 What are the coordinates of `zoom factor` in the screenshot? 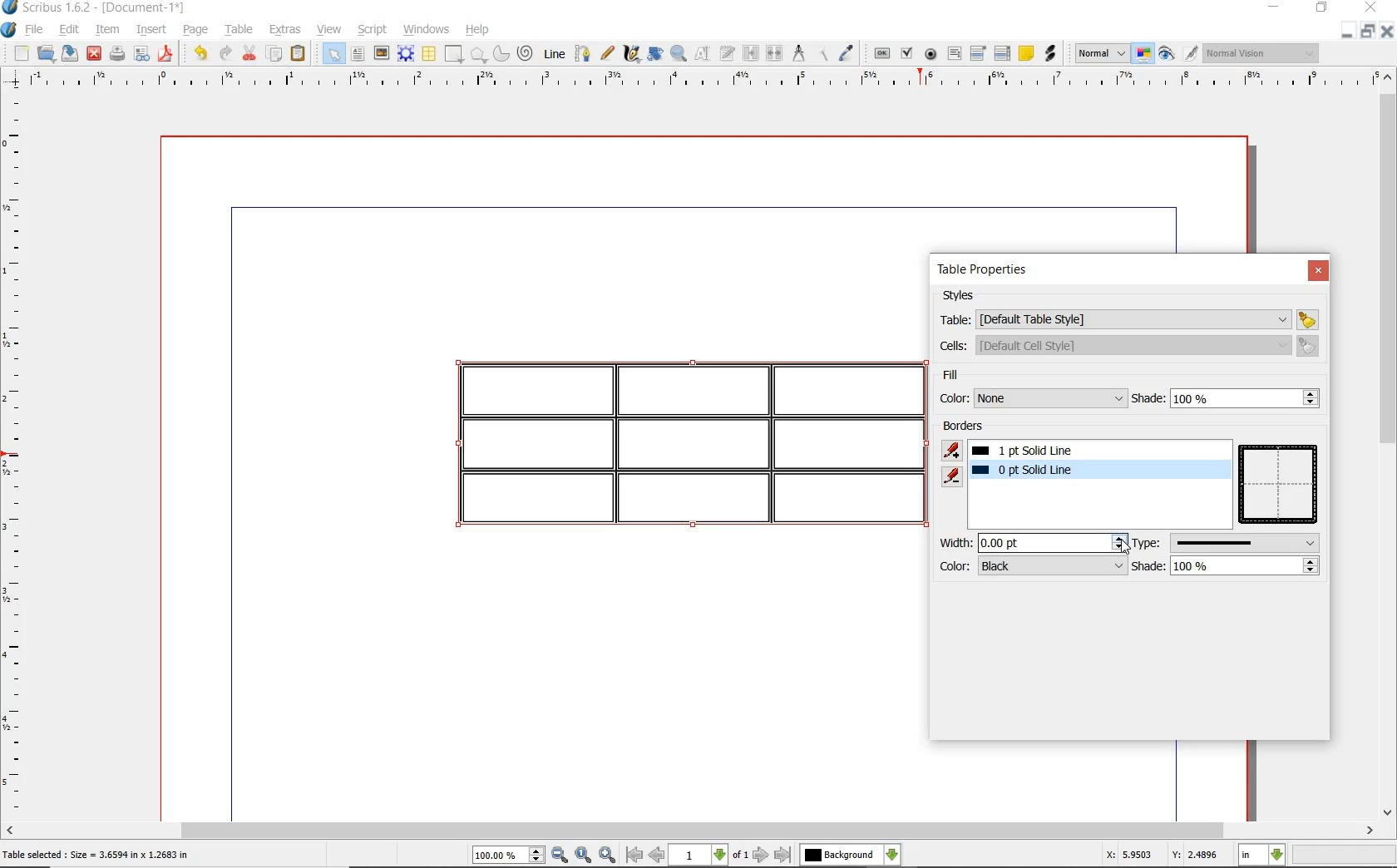 It's located at (1344, 856).